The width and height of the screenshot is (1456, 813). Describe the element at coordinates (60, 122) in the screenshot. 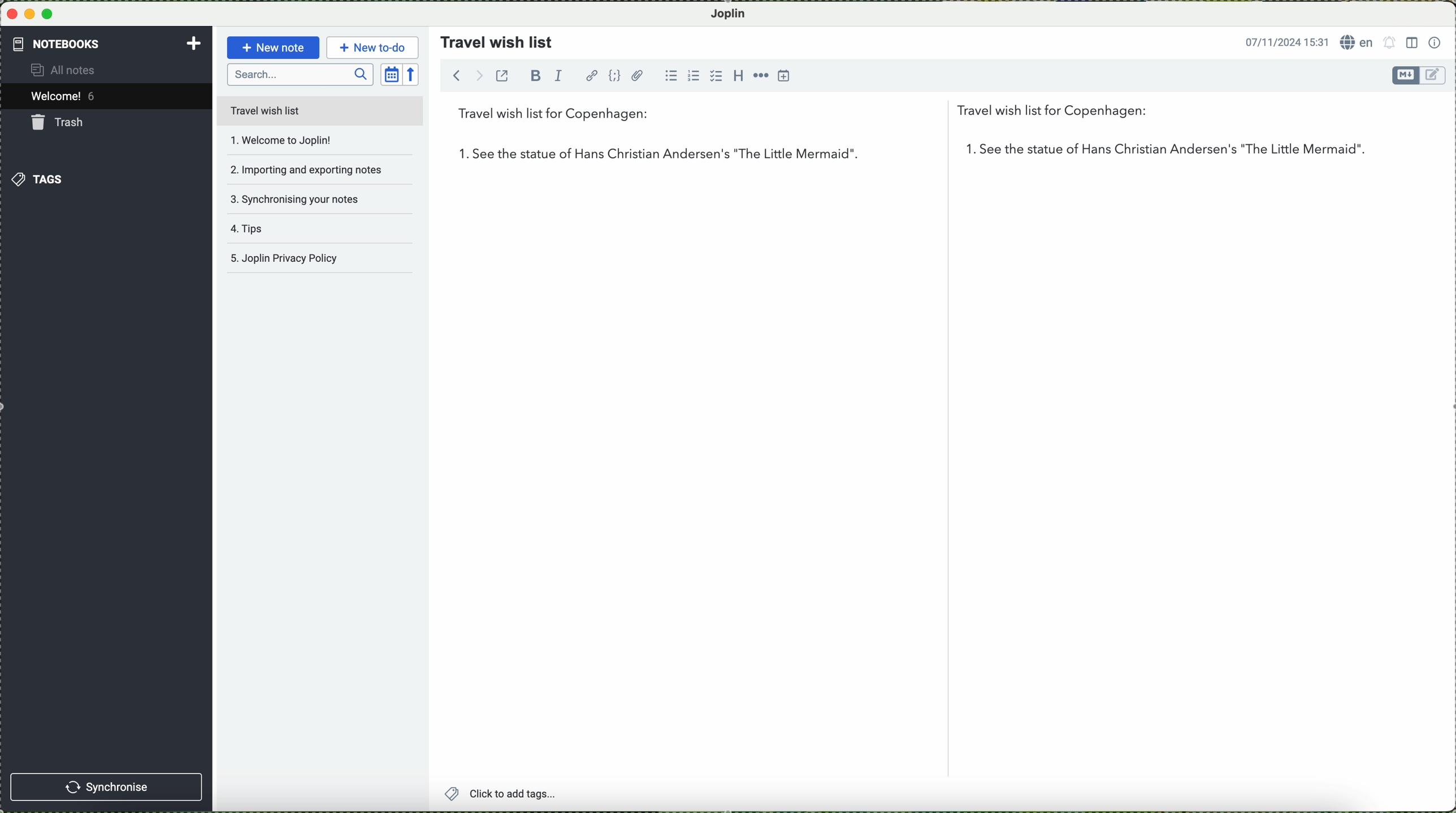

I see `trash` at that location.